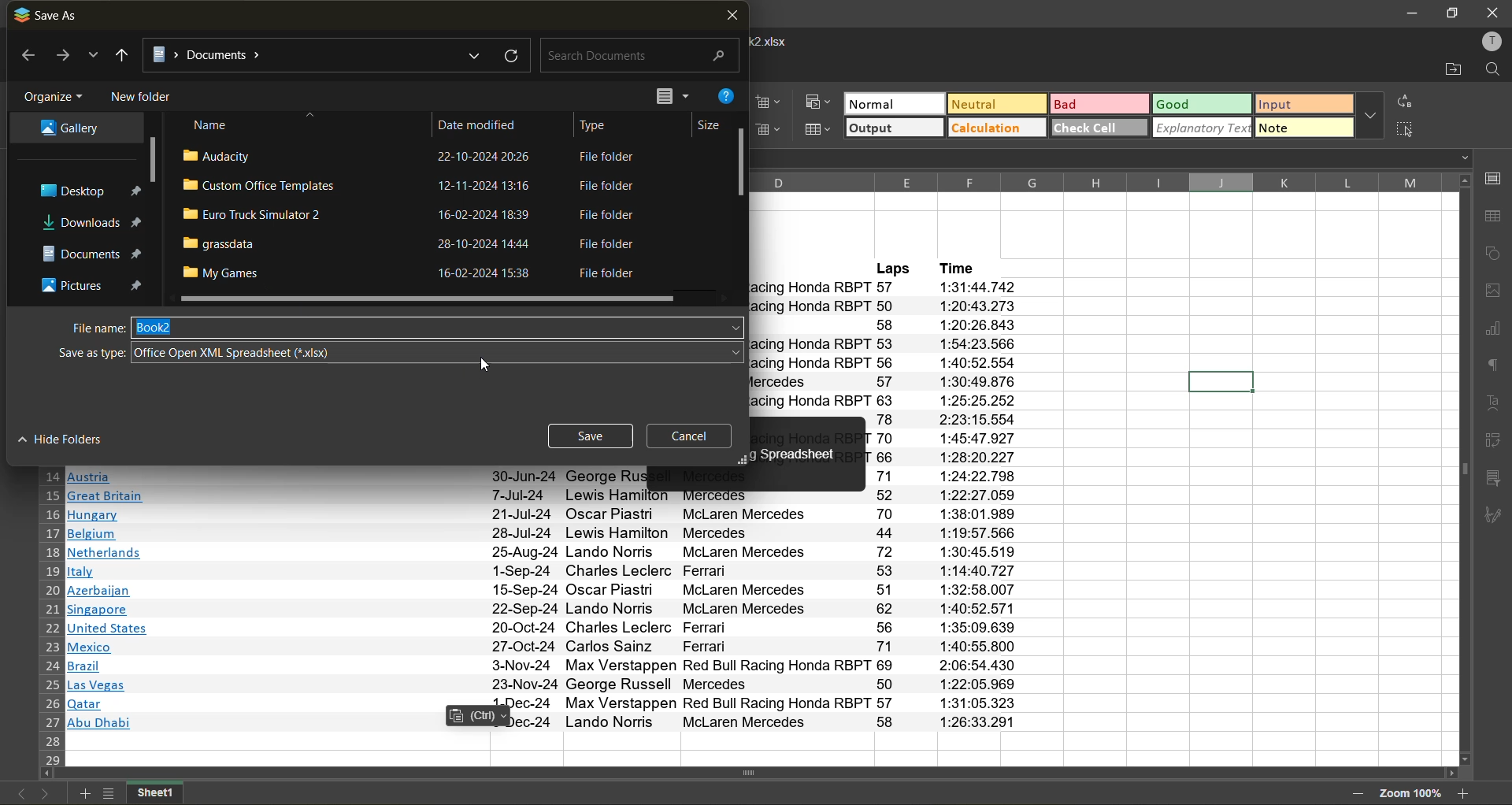  What do you see at coordinates (545, 591) in the screenshot?
I see `text info` at bounding box center [545, 591].